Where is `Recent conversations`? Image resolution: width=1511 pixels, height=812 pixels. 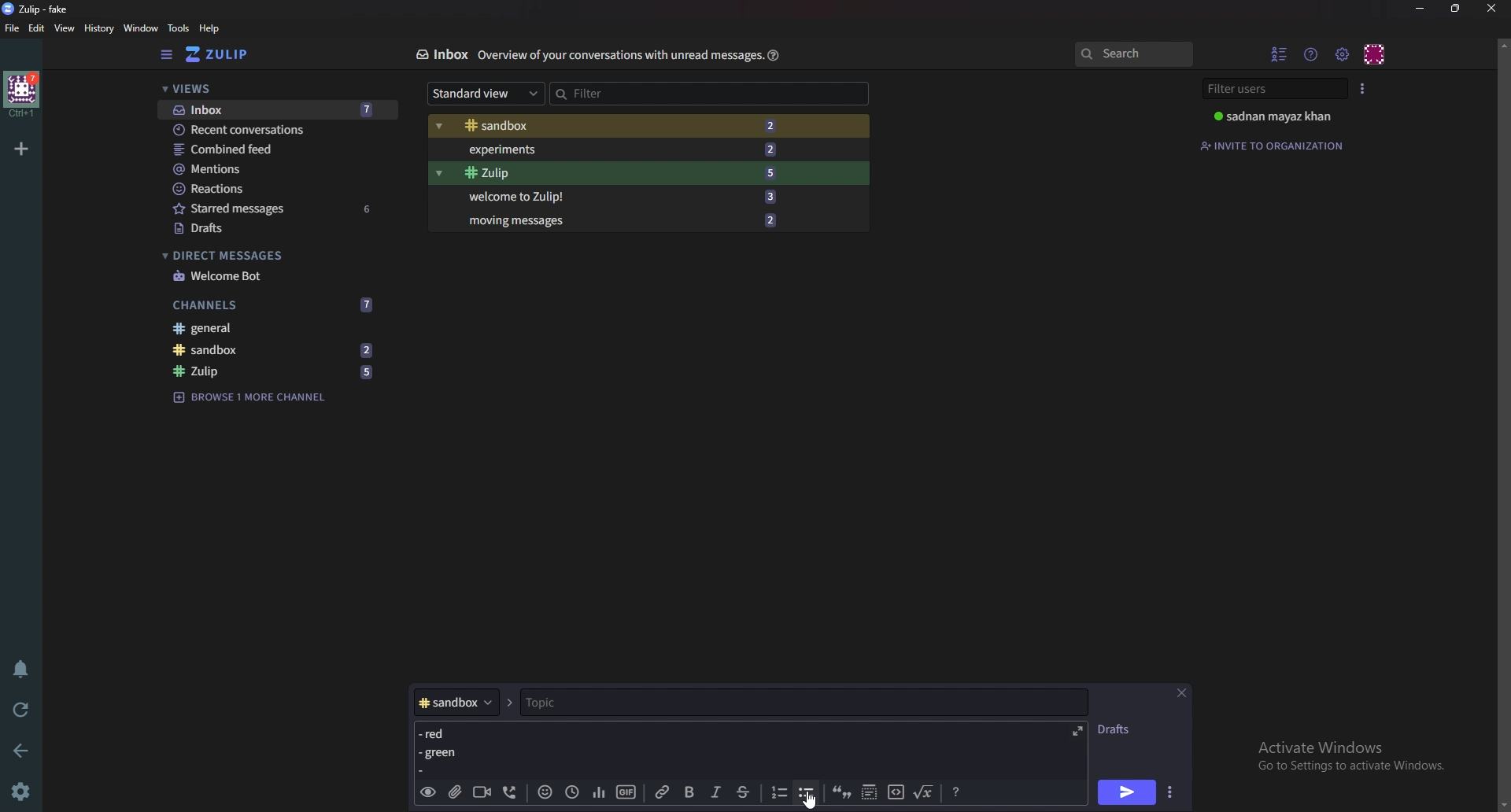 Recent conversations is located at coordinates (279, 129).